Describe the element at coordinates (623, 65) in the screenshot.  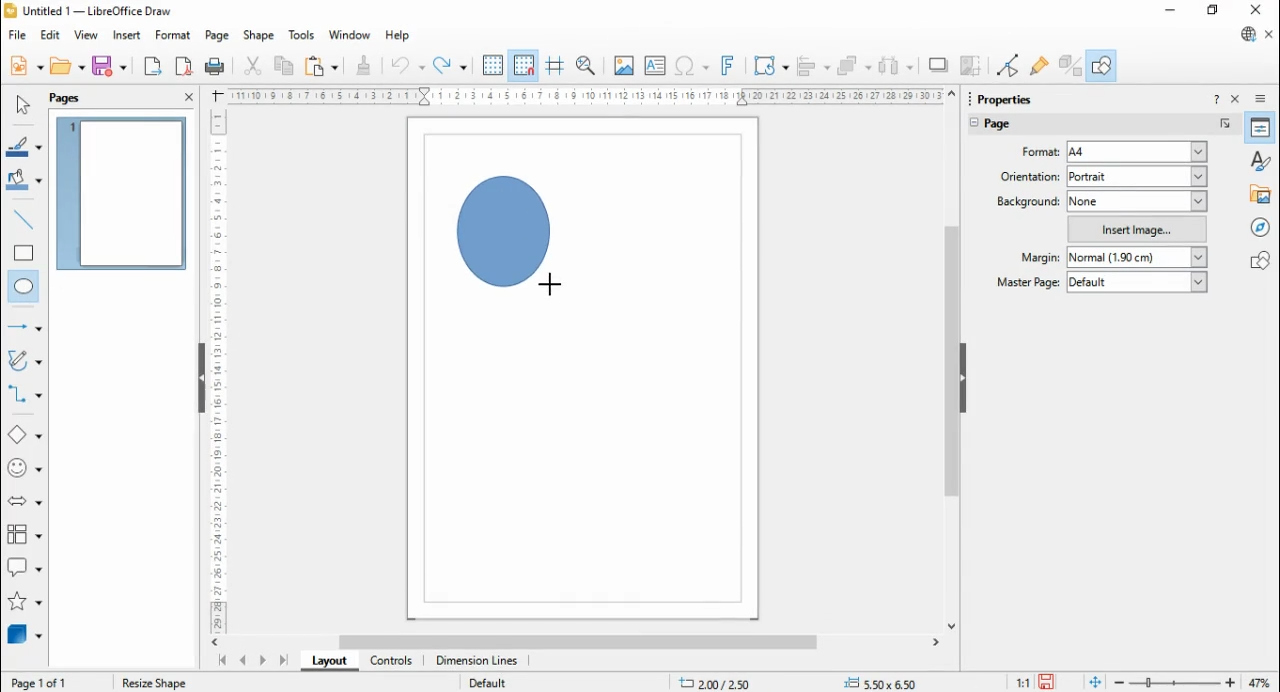
I see `insert image` at that location.